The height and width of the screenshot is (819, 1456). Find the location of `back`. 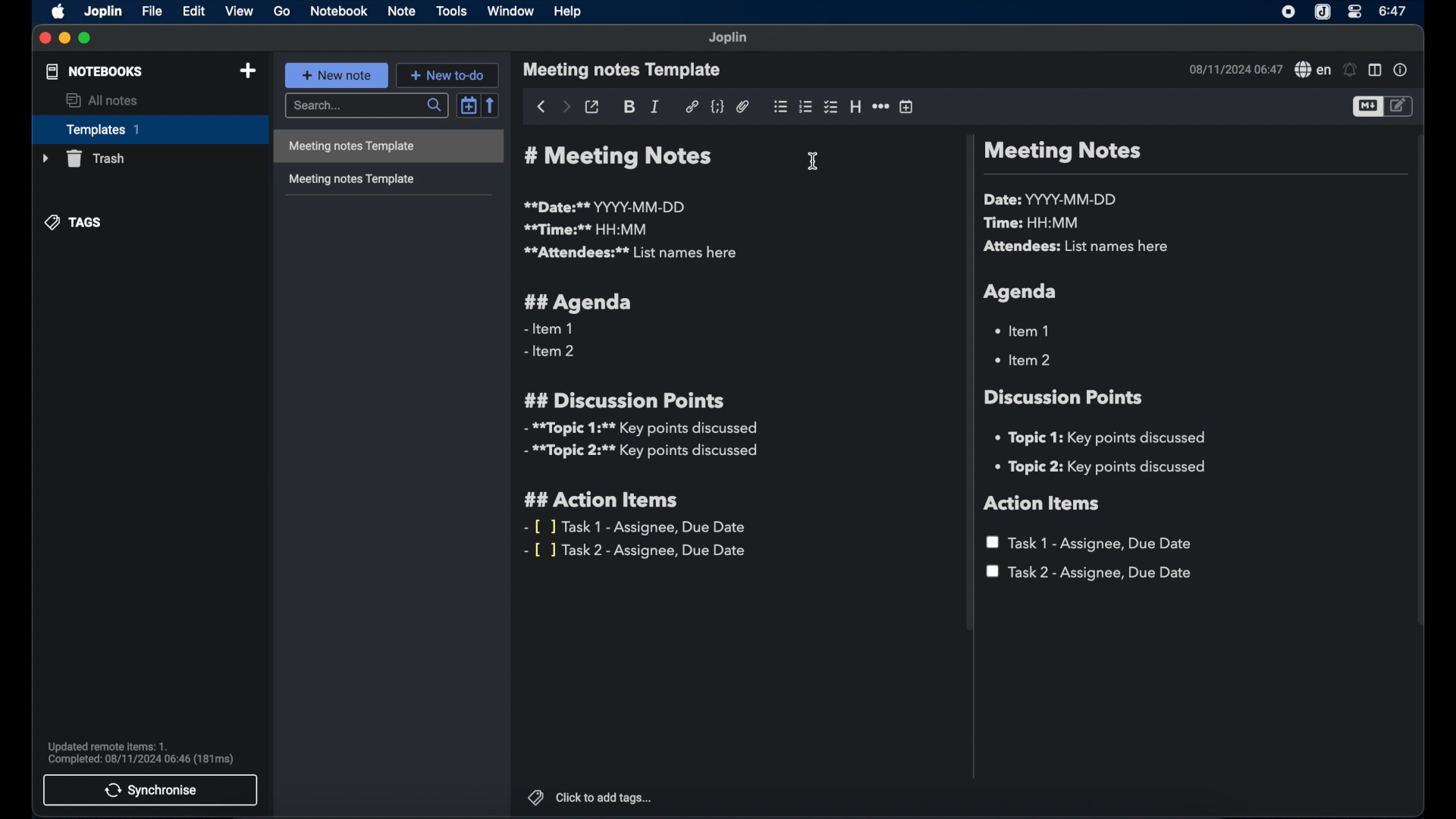

back is located at coordinates (539, 106).